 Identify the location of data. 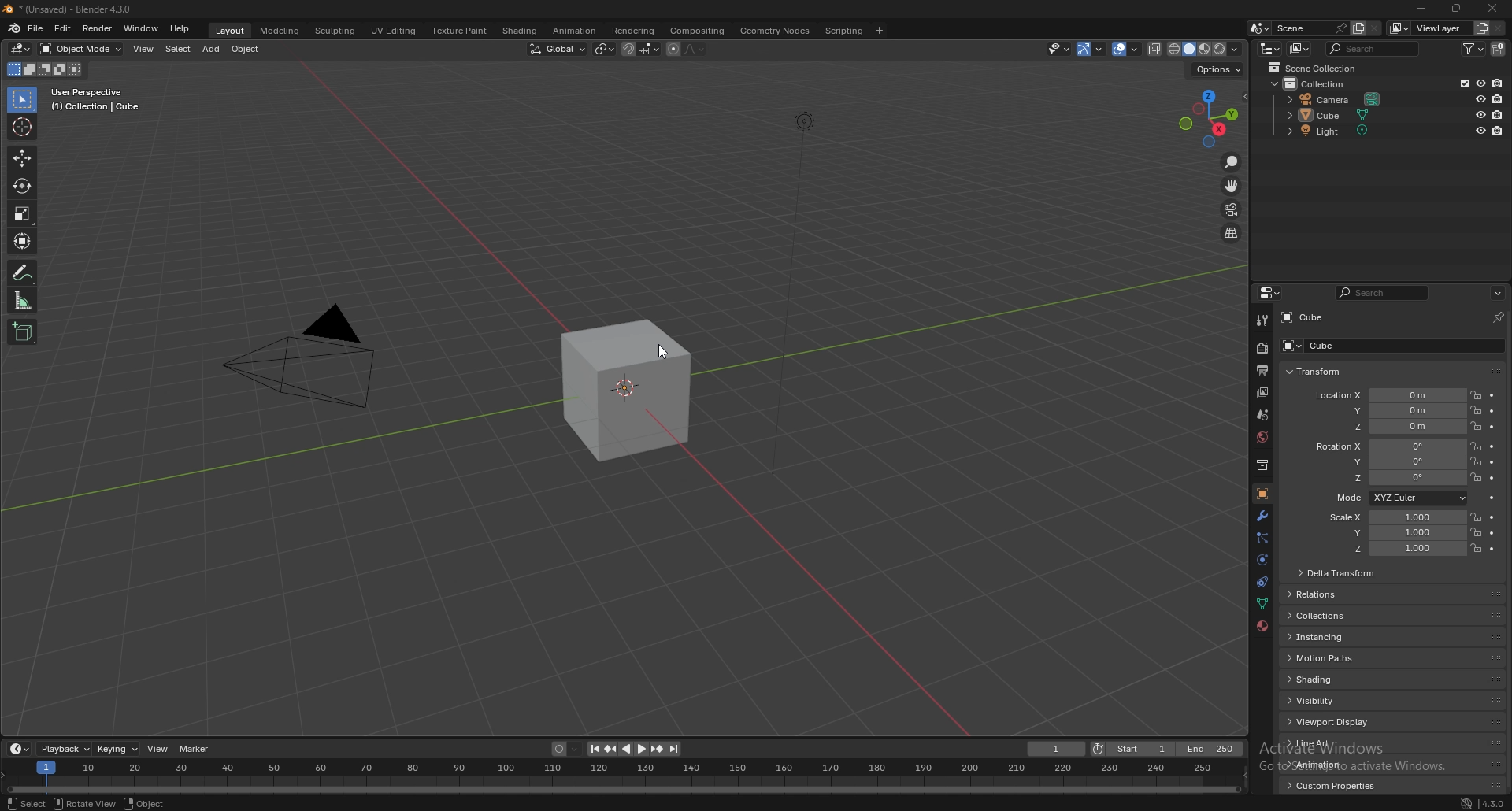
(1262, 604).